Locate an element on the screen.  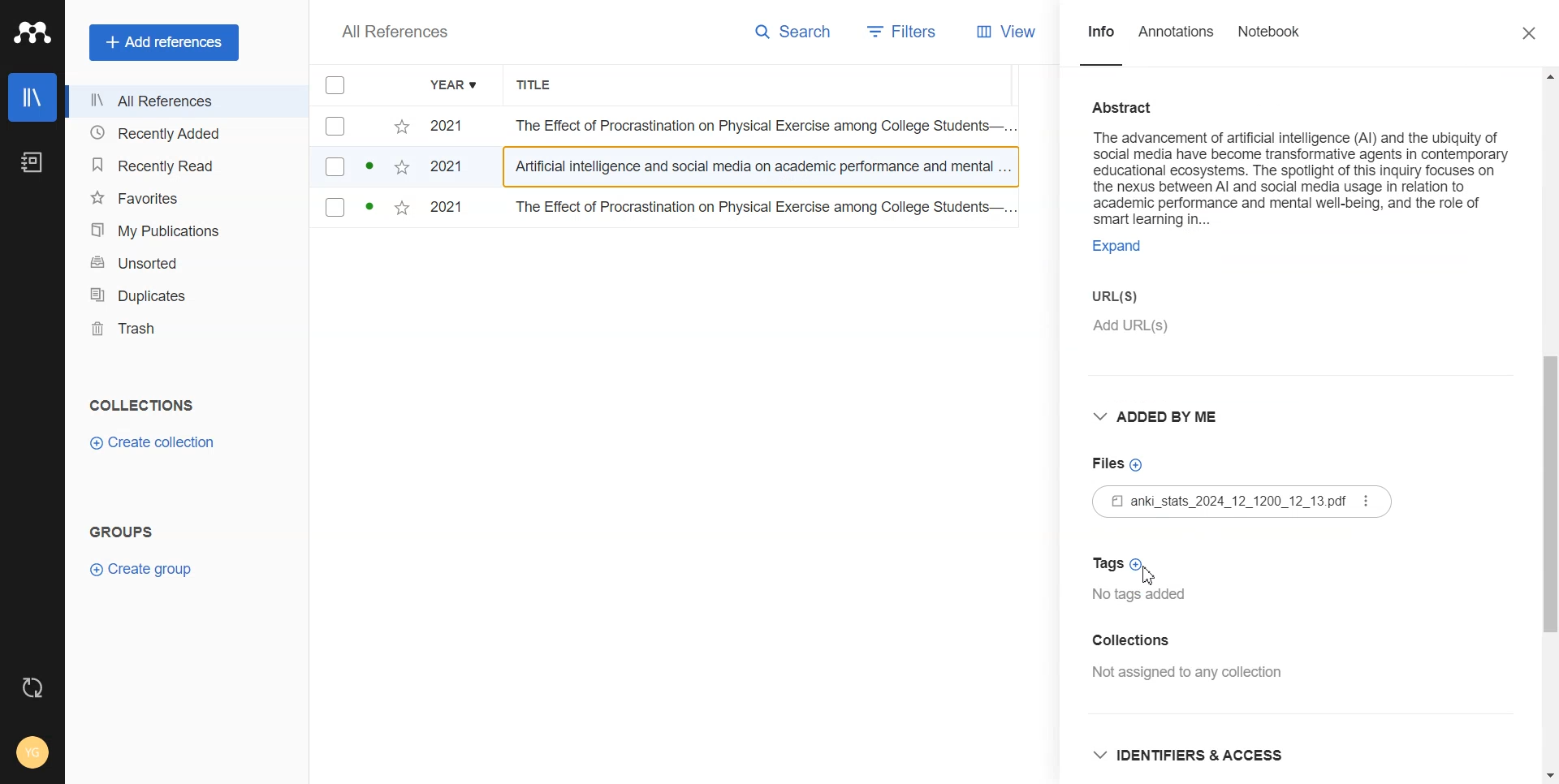
Info is located at coordinates (1101, 40).